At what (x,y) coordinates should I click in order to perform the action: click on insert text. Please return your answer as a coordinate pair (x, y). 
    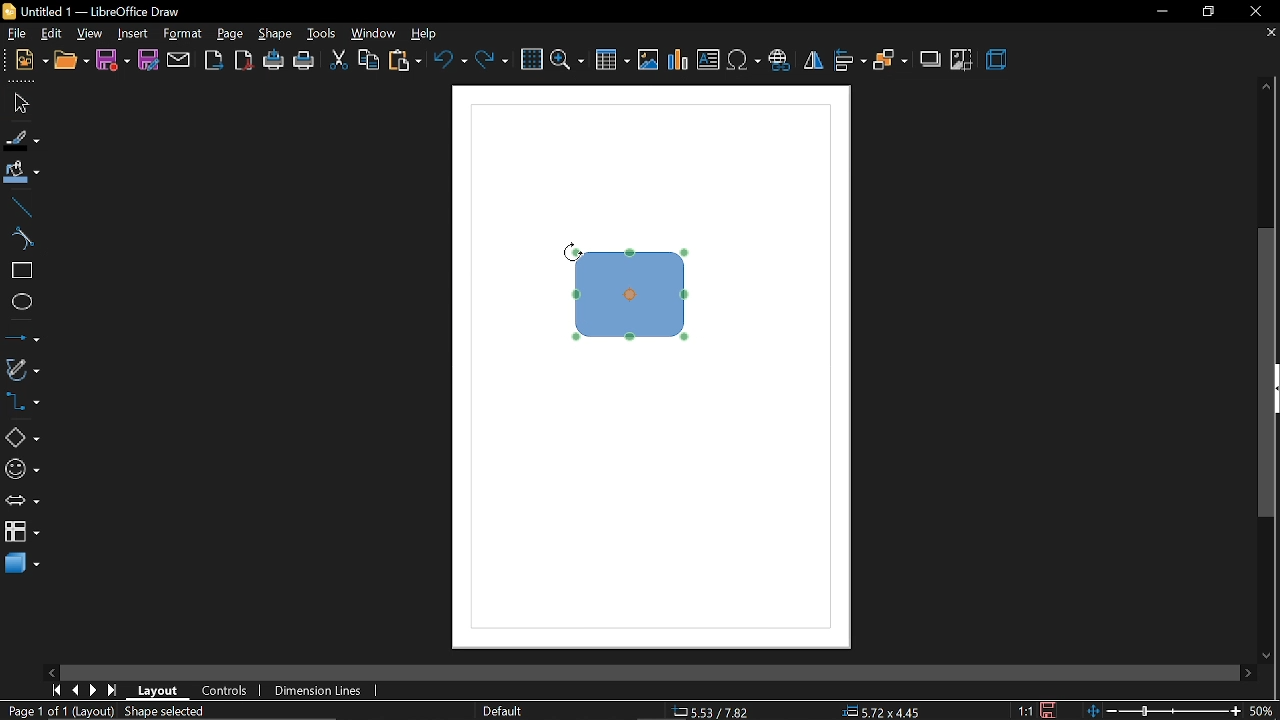
    Looking at the image, I should click on (710, 61).